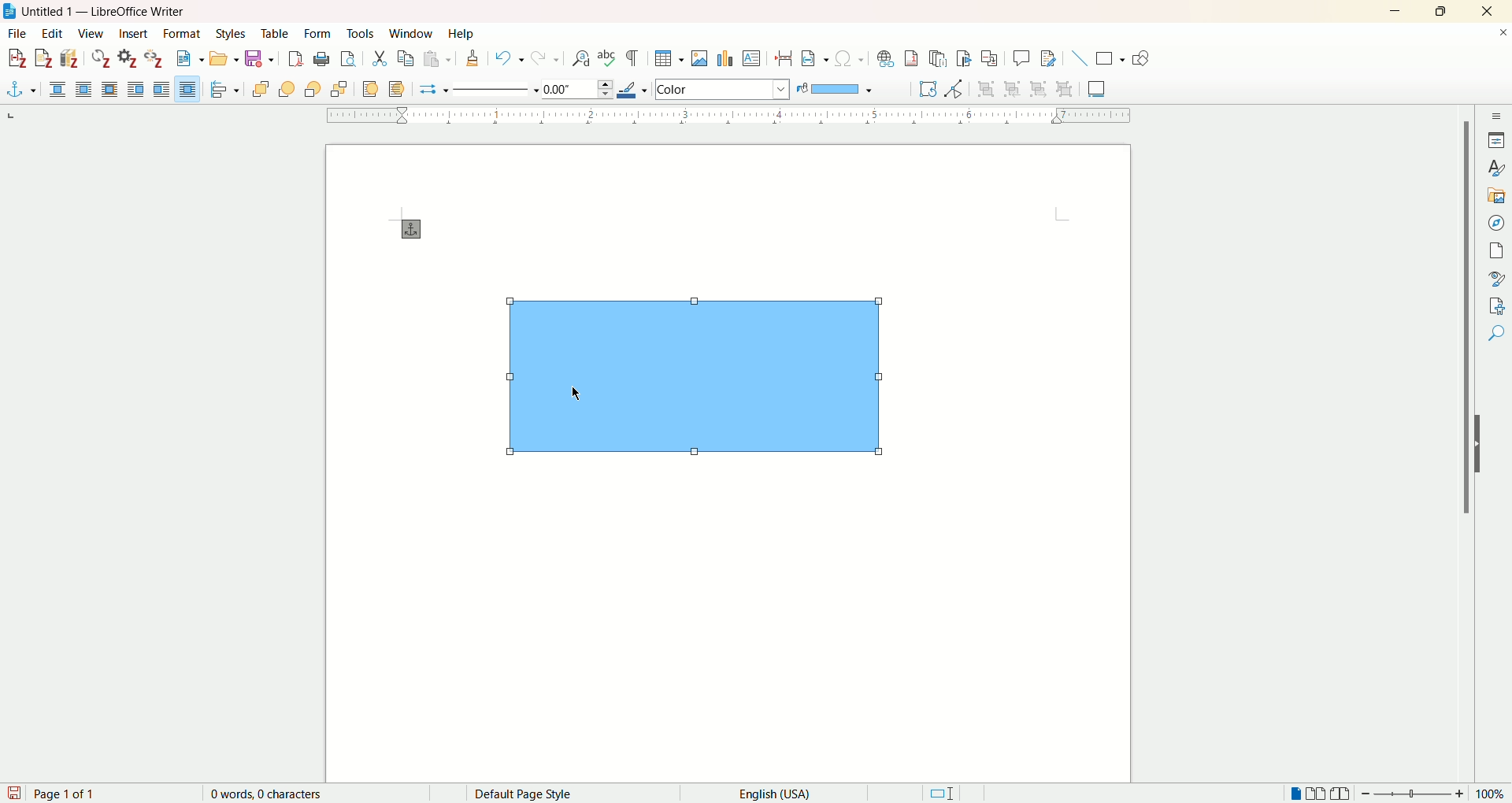  Describe the element at coordinates (817, 59) in the screenshot. I see `insert field` at that location.